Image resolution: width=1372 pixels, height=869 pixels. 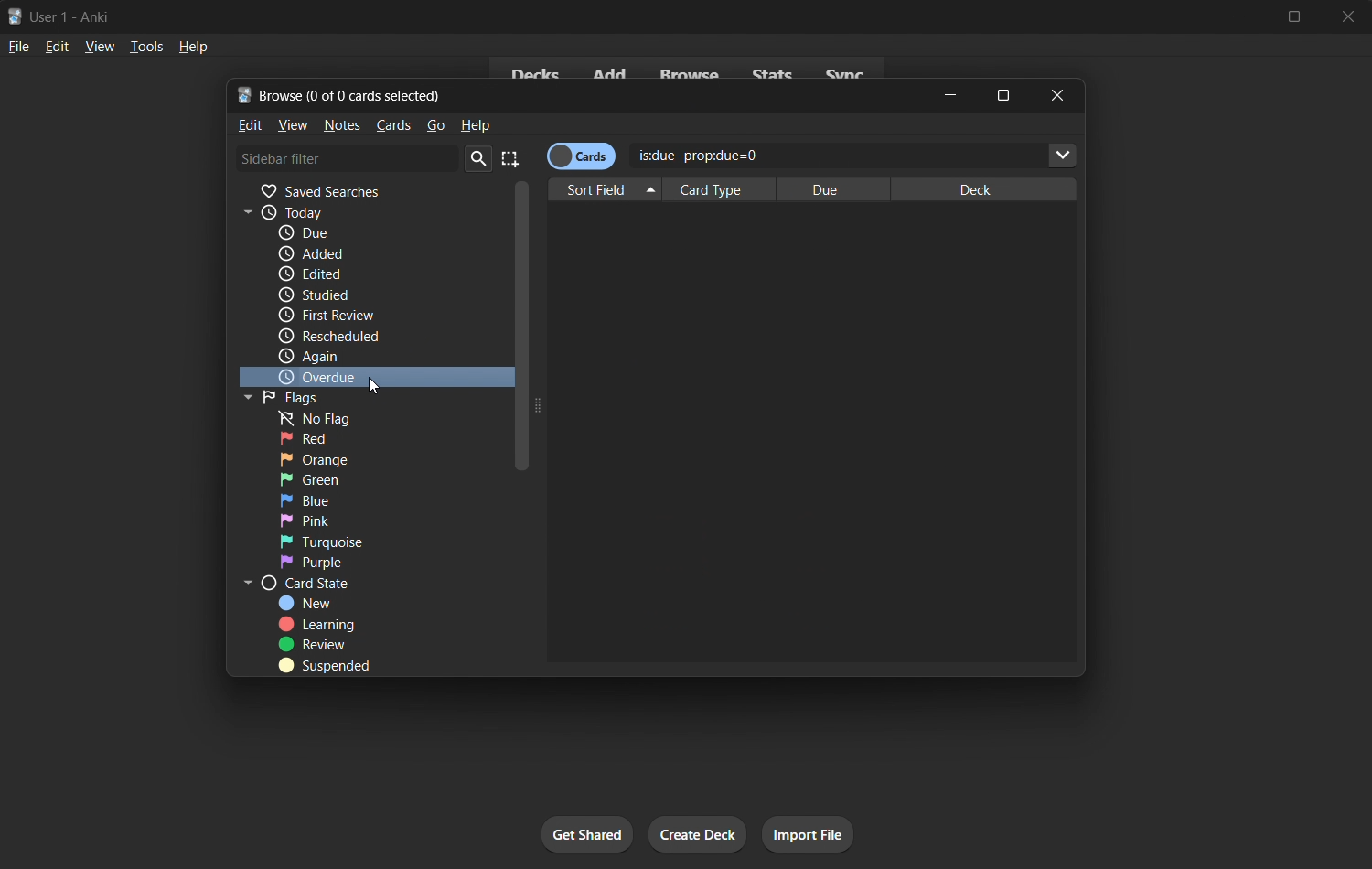 I want to click on help, so click(x=192, y=48).